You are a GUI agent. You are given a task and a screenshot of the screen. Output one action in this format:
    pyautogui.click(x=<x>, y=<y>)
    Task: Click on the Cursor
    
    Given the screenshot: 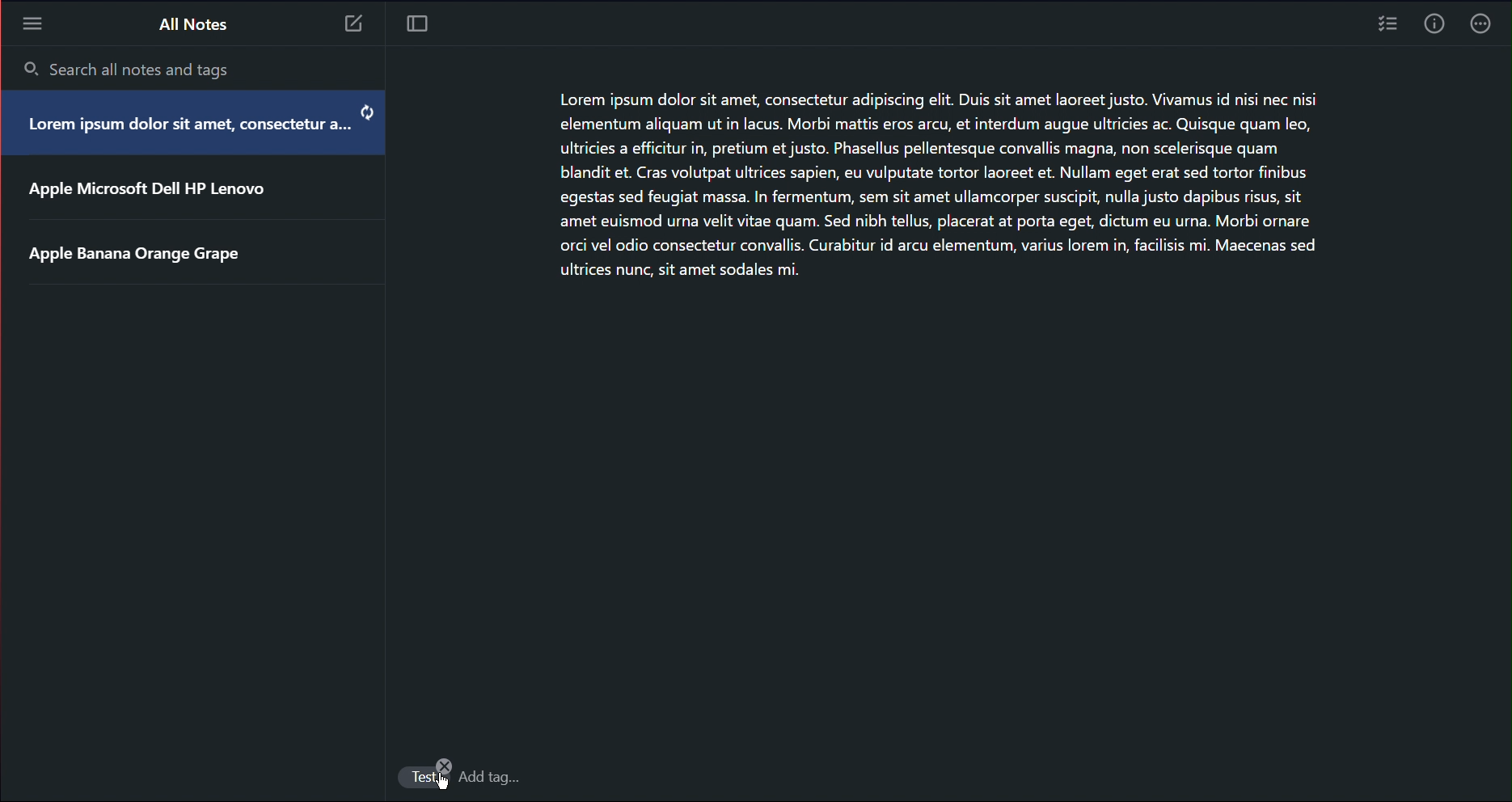 What is the action you would take?
    pyautogui.click(x=439, y=783)
    